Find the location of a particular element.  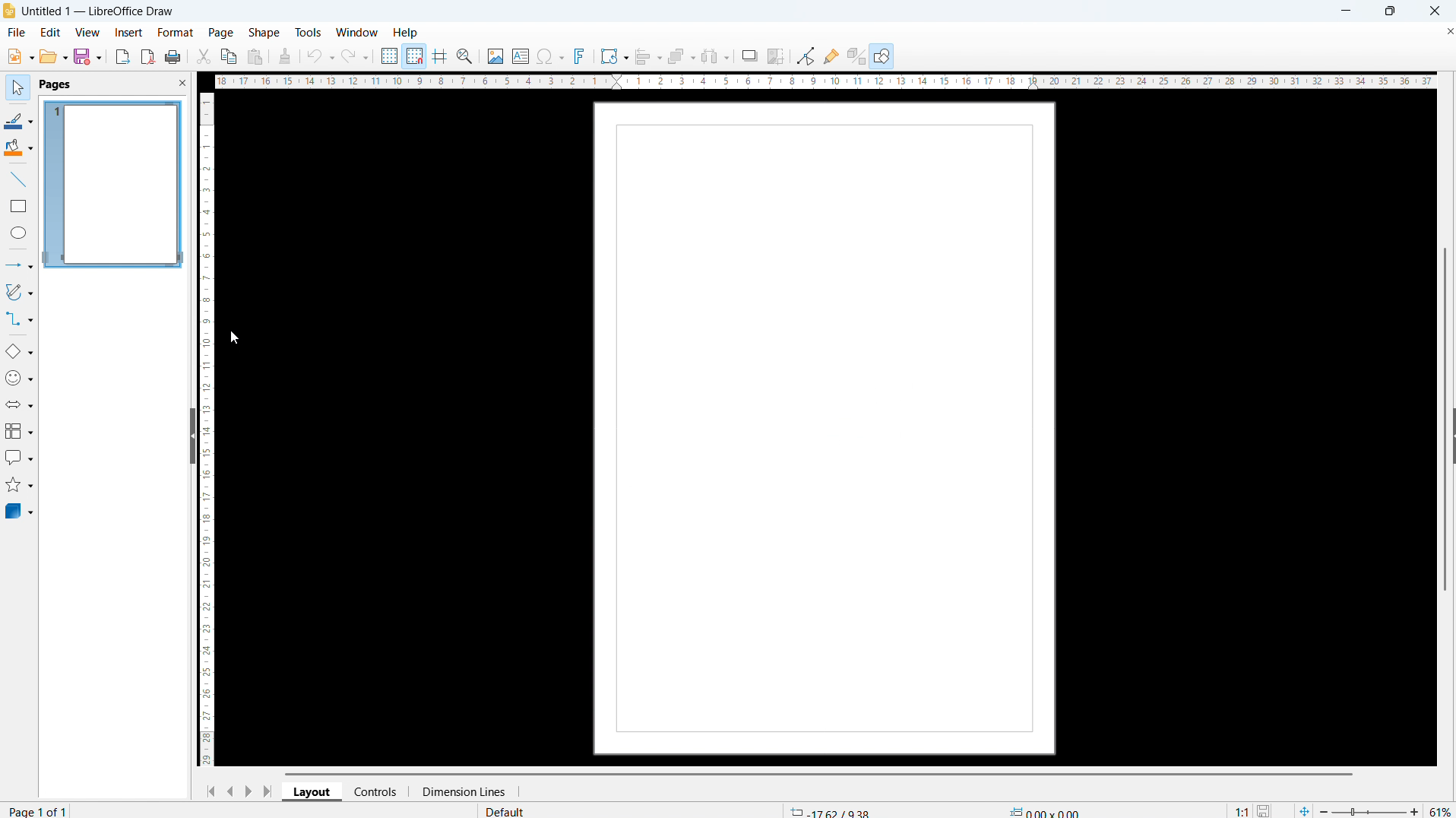

scaling factor is located at coordinates (1242, 809).